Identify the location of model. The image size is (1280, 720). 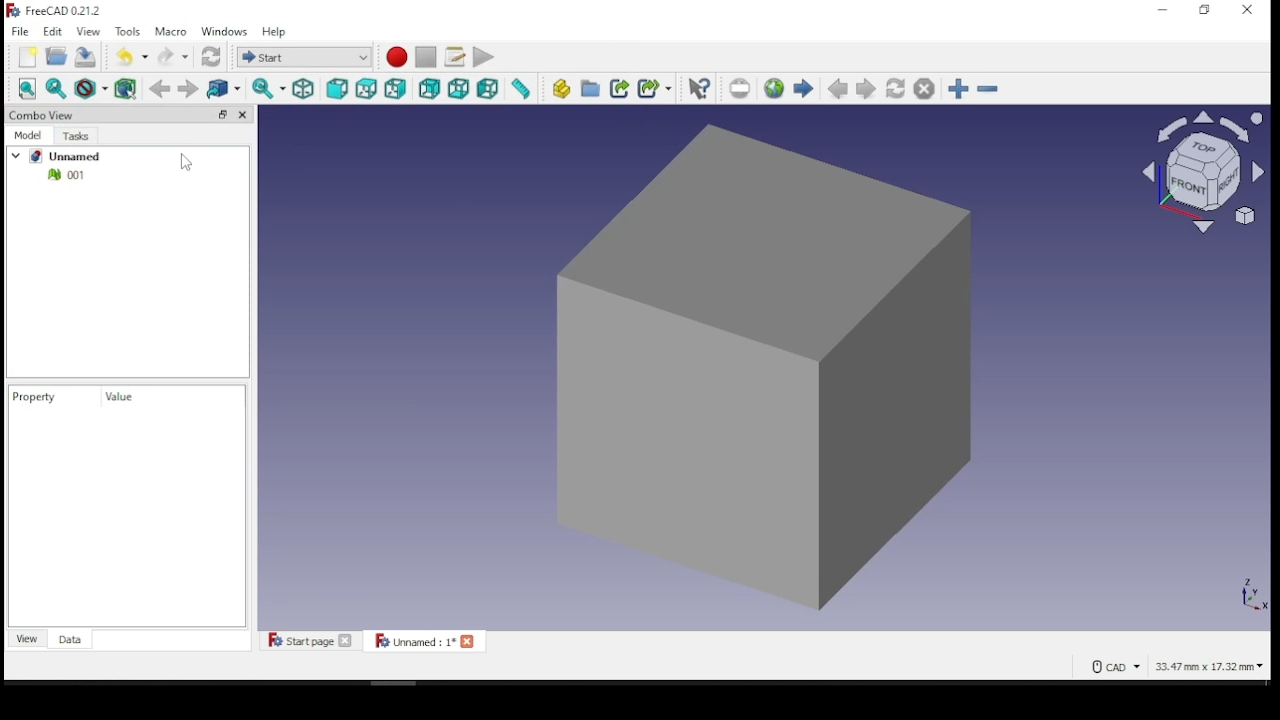
(30, 137).